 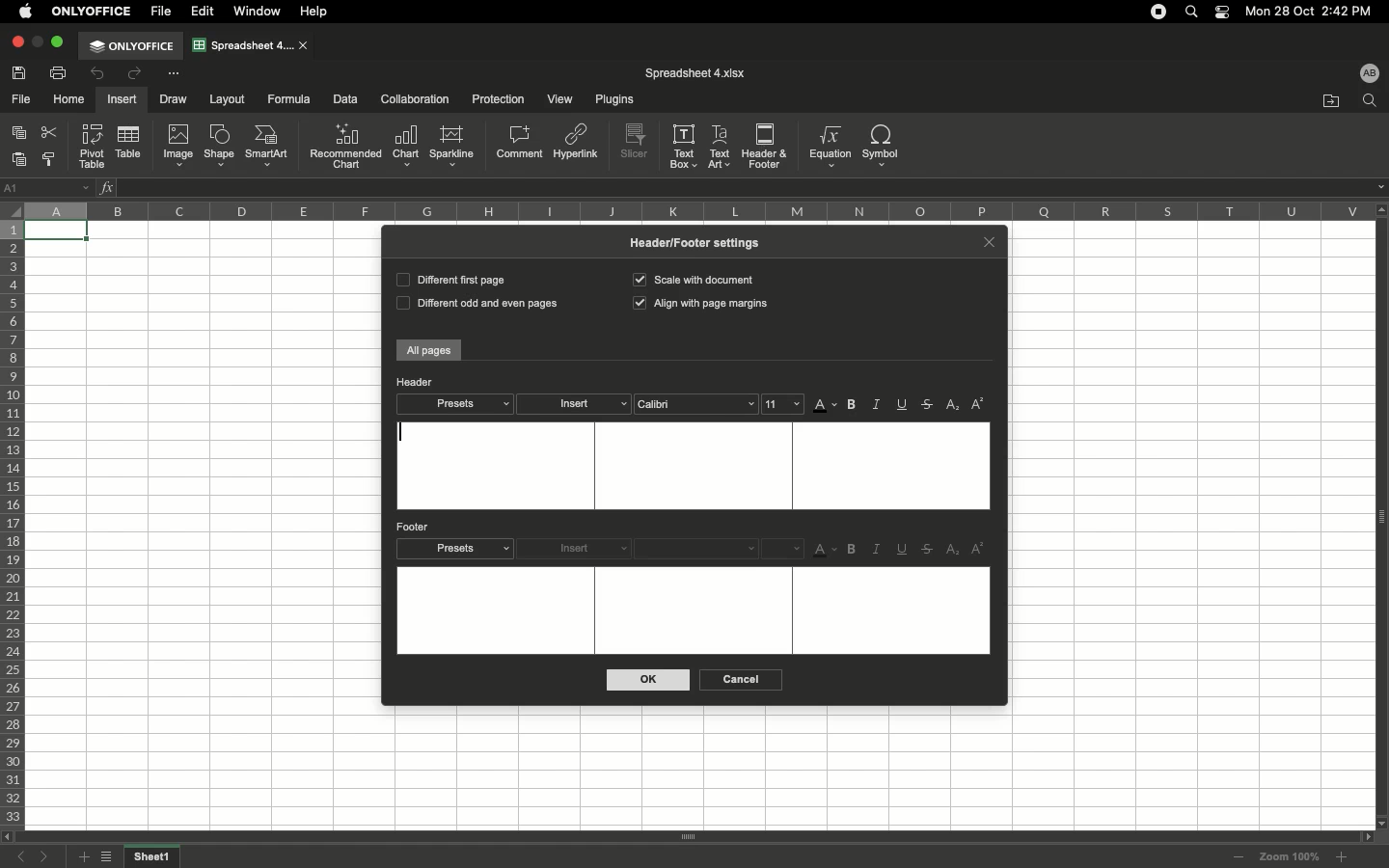 I want to click on Recommended chart, so click(x=345, y=146).